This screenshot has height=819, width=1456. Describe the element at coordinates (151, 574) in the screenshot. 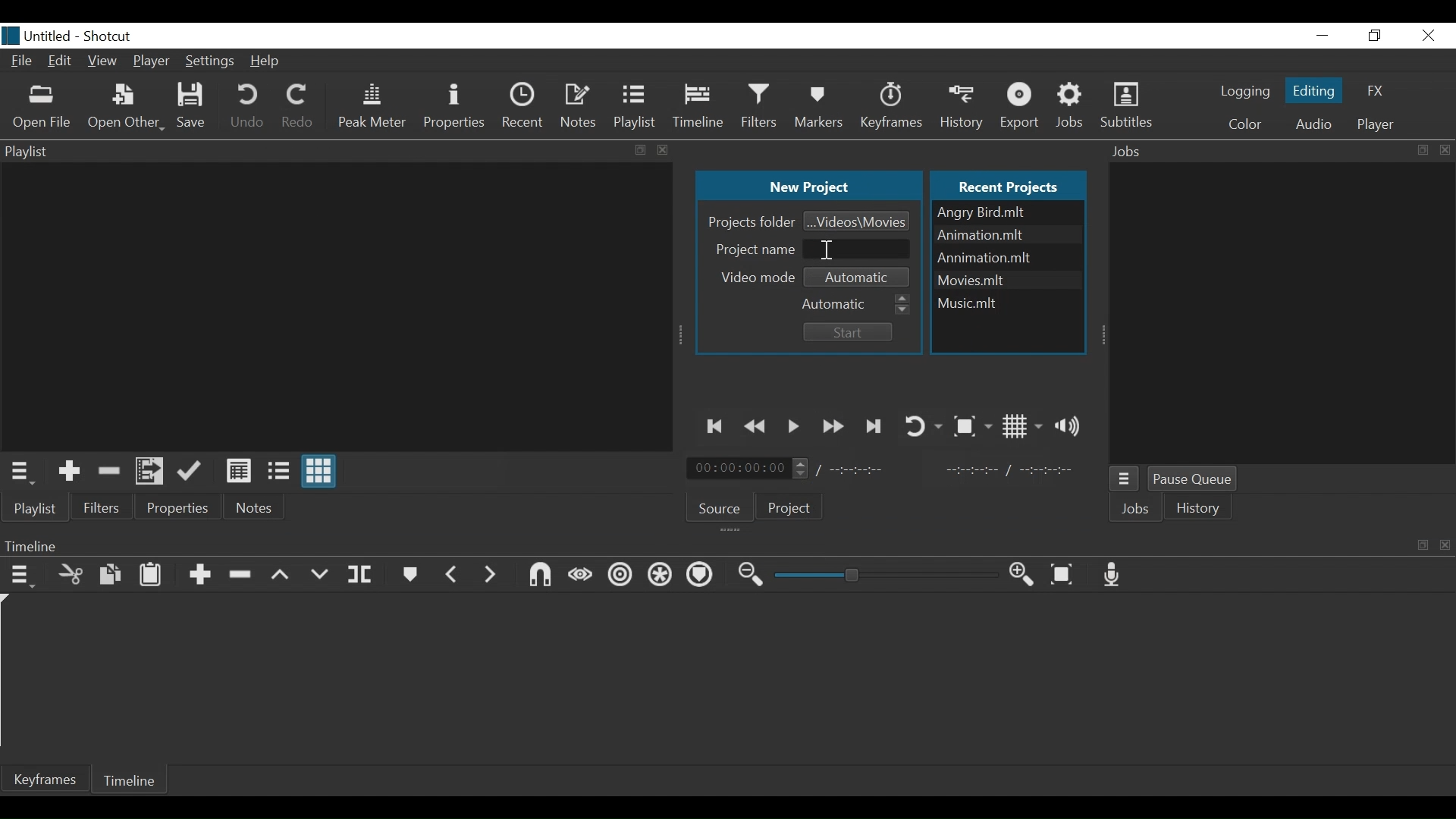

I see `Paste` at that location.